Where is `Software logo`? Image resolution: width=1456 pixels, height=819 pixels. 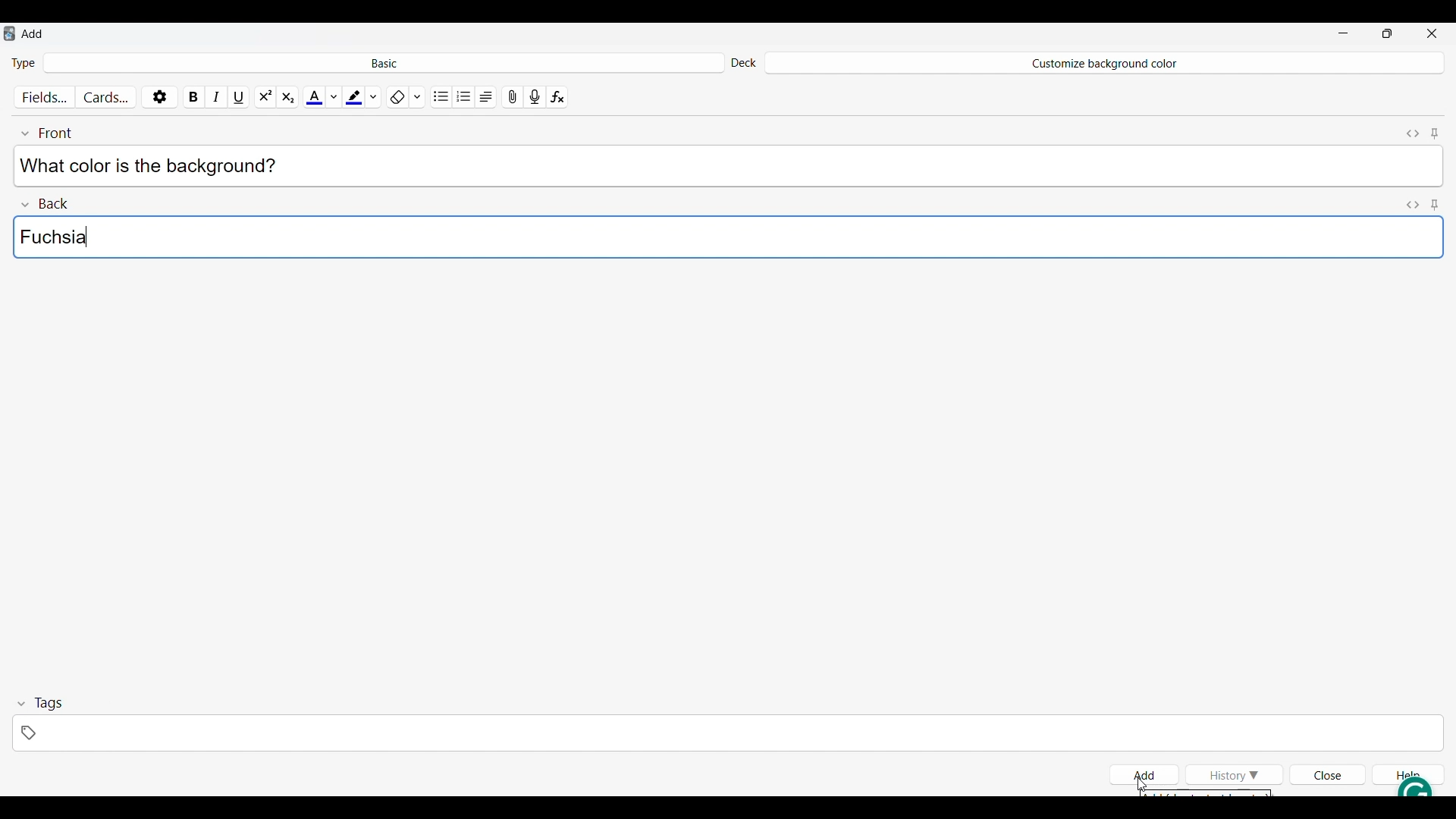
Software logo is located at coordinates (9, 33).